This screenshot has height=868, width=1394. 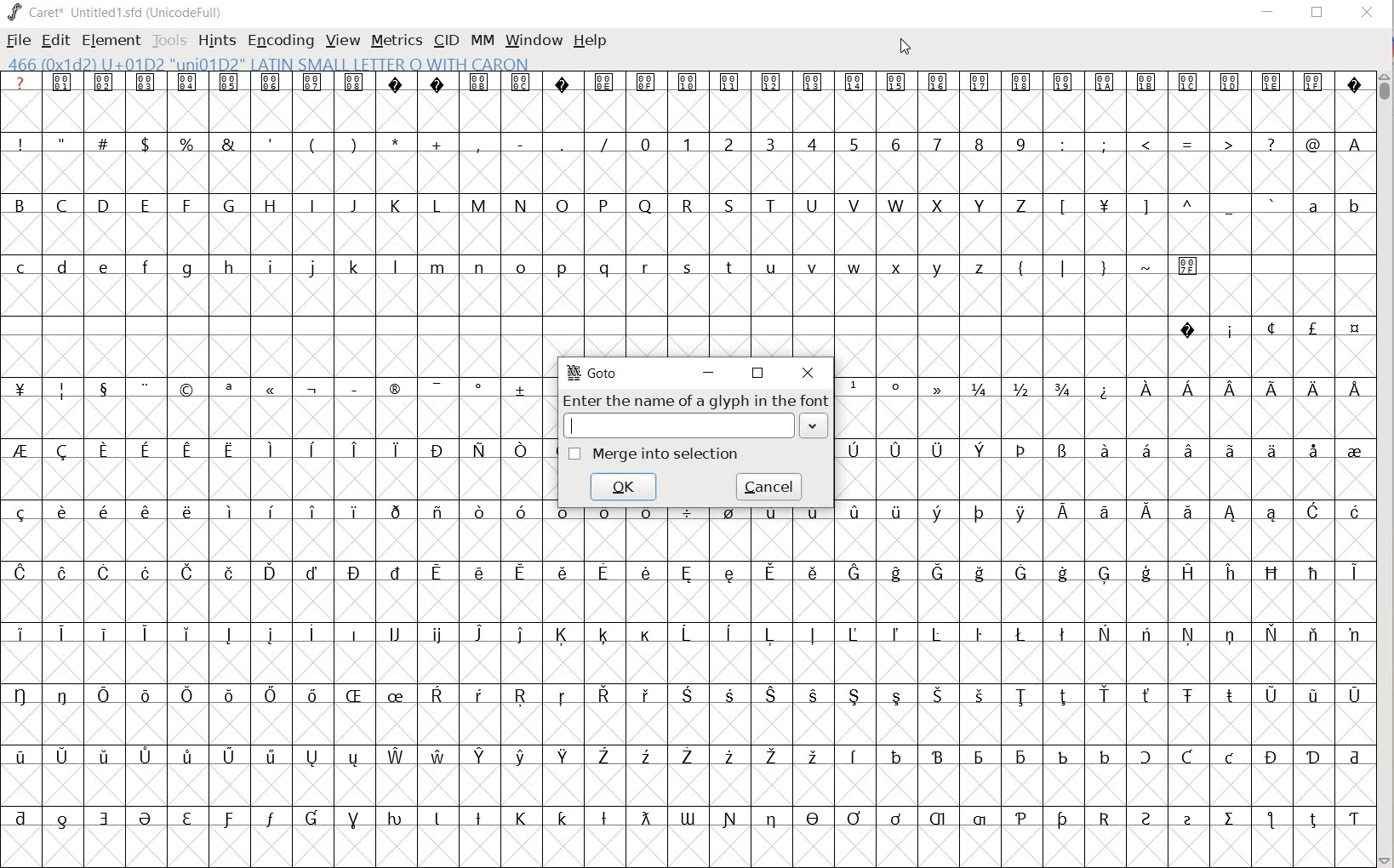 I want to click on FILE, so click(x=17, y=42).